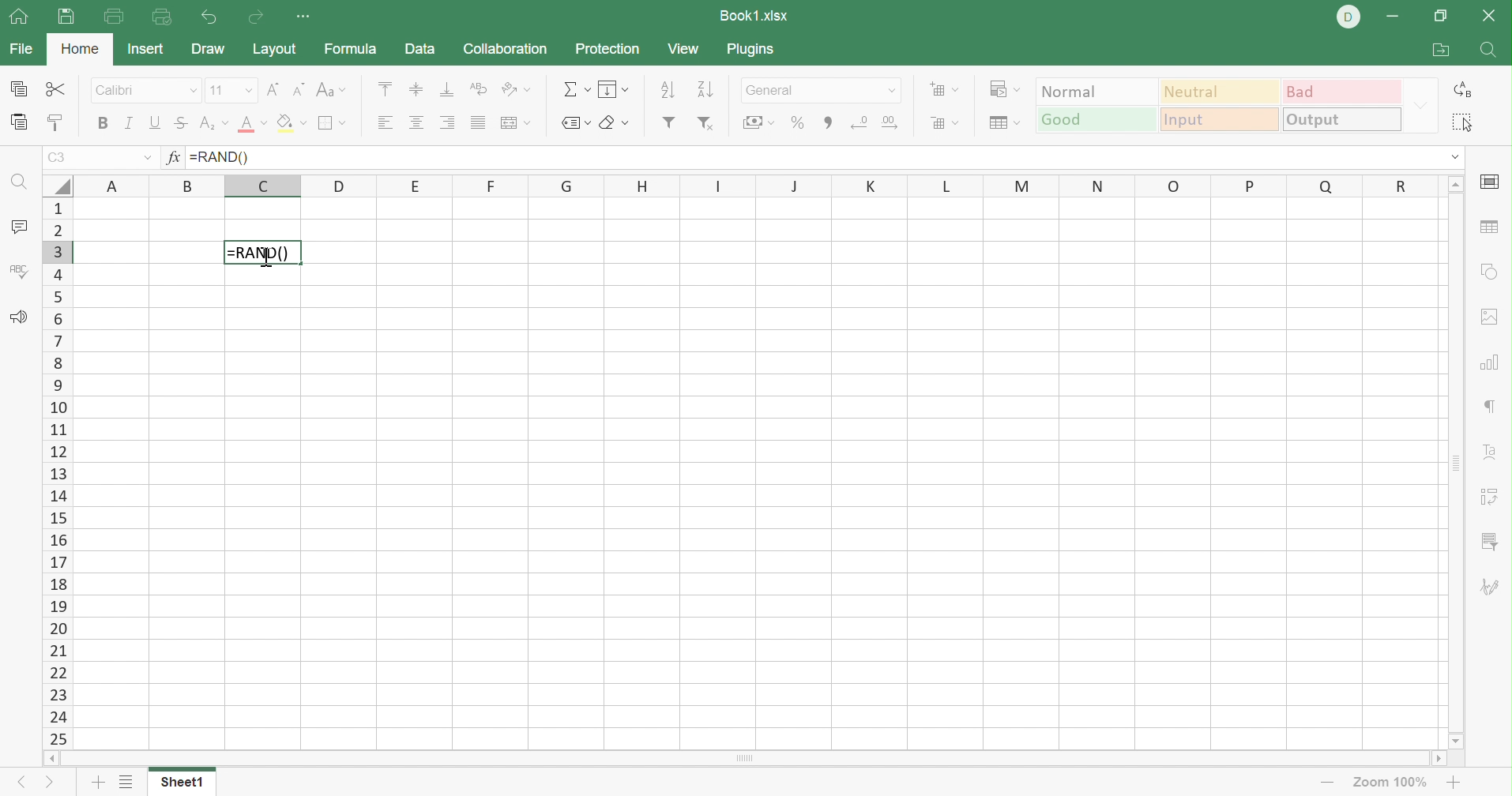 The image size is (1512, 796). What do you see at coordinates (506, 47) in the screenshot?
I see `Collaboration` at bounding box center [506, 47].